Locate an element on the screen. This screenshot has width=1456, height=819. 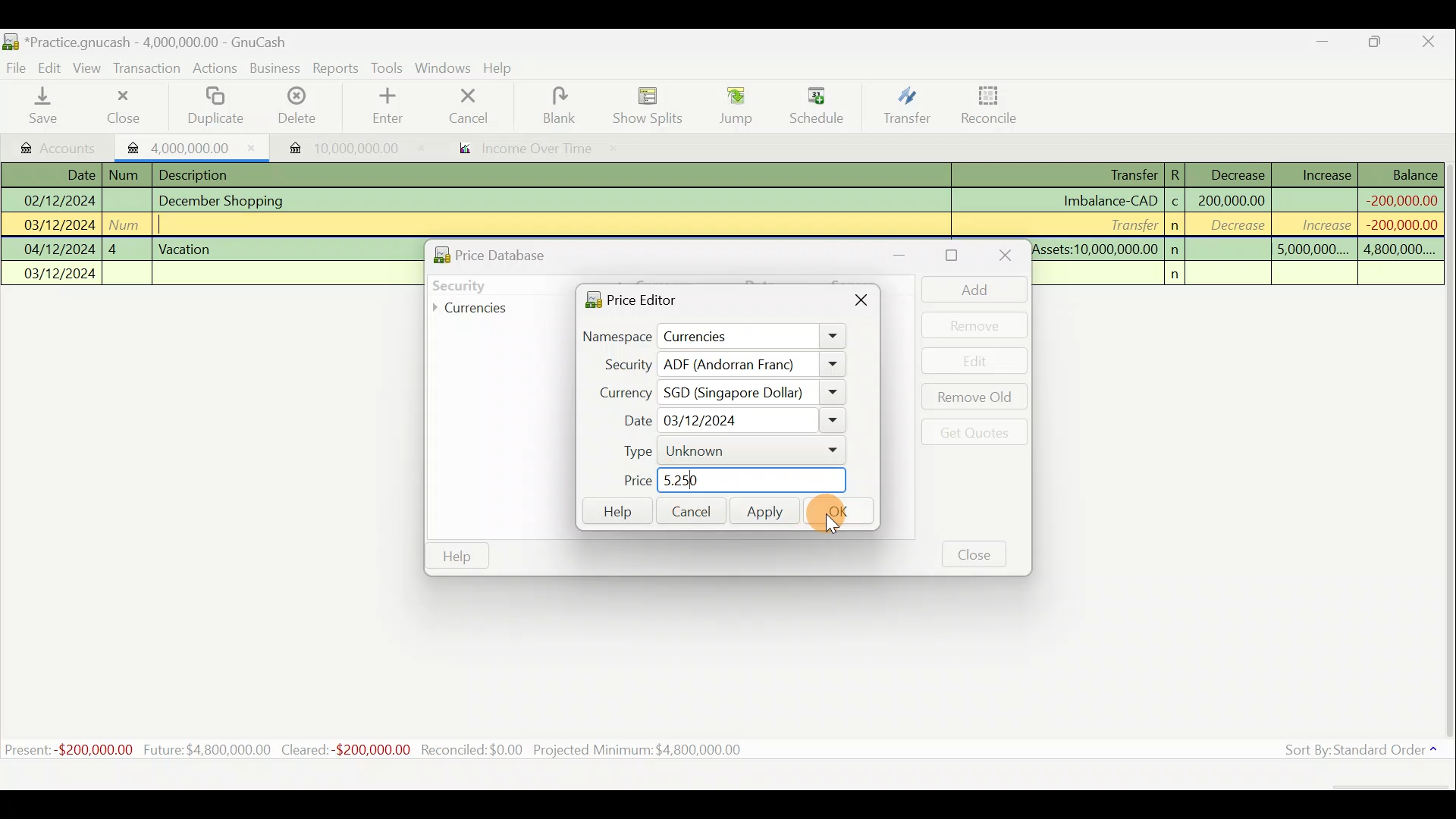
Close is located at coordinates (1433, 42).